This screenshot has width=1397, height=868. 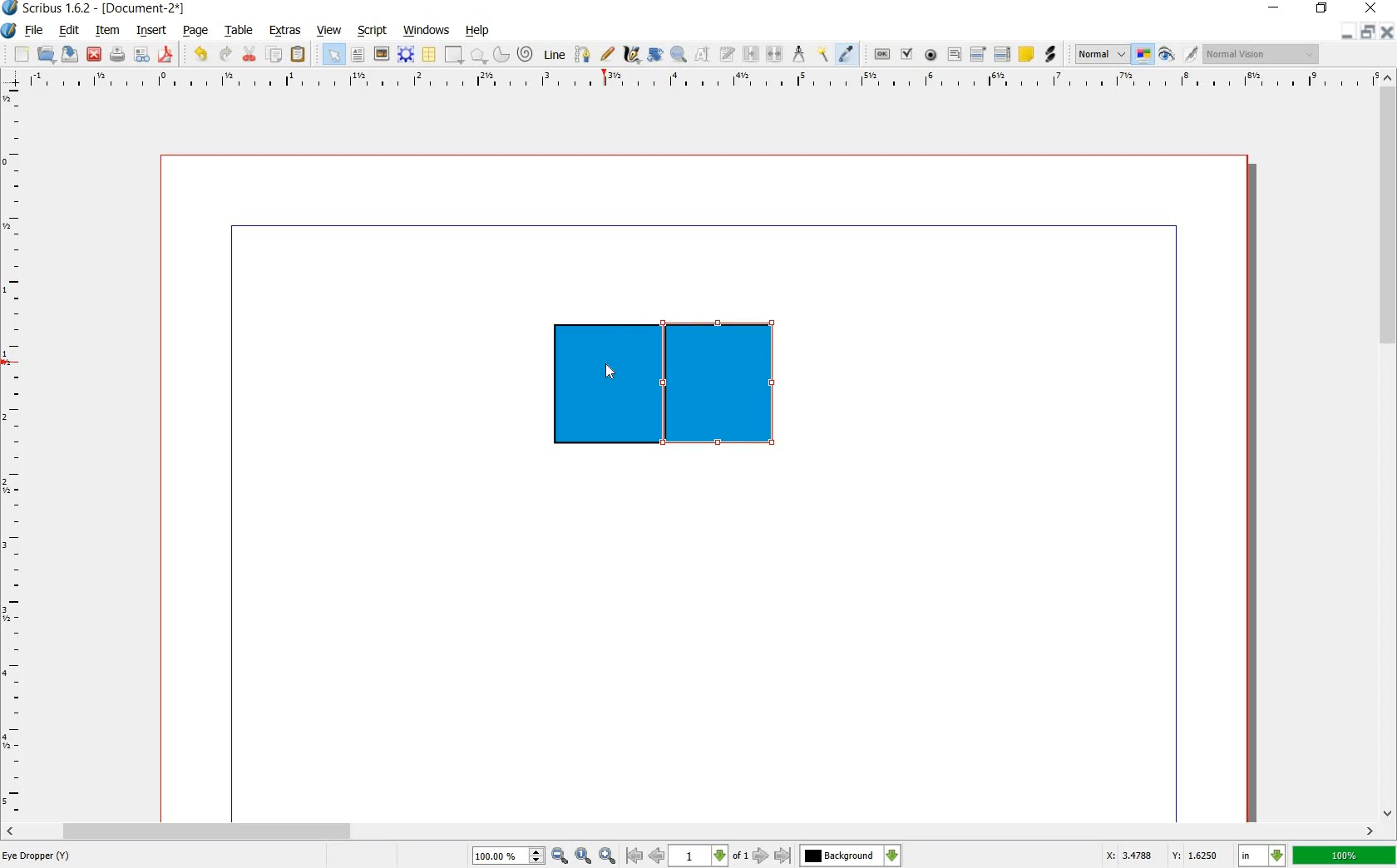 I want to click on preview mode, so click(x=1167, y=55).